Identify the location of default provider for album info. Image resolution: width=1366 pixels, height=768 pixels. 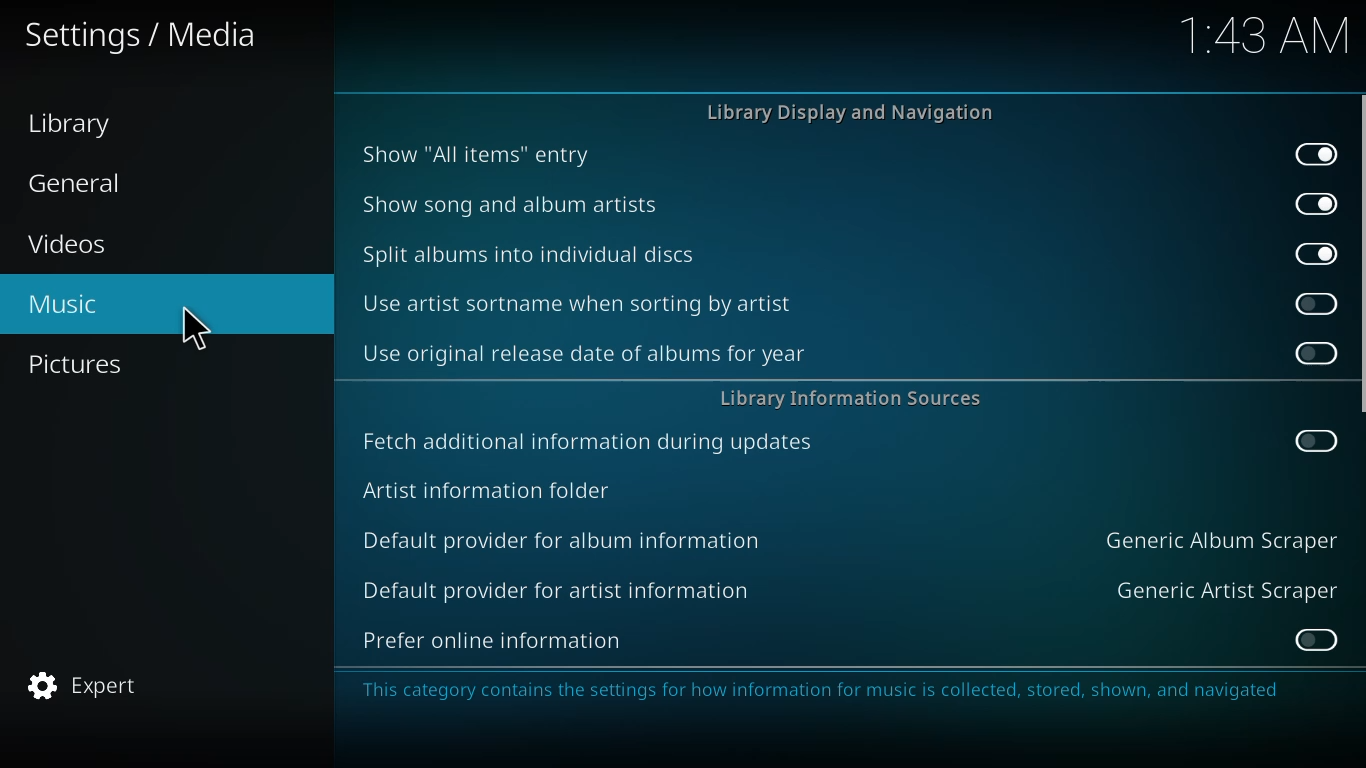
(566, 538).